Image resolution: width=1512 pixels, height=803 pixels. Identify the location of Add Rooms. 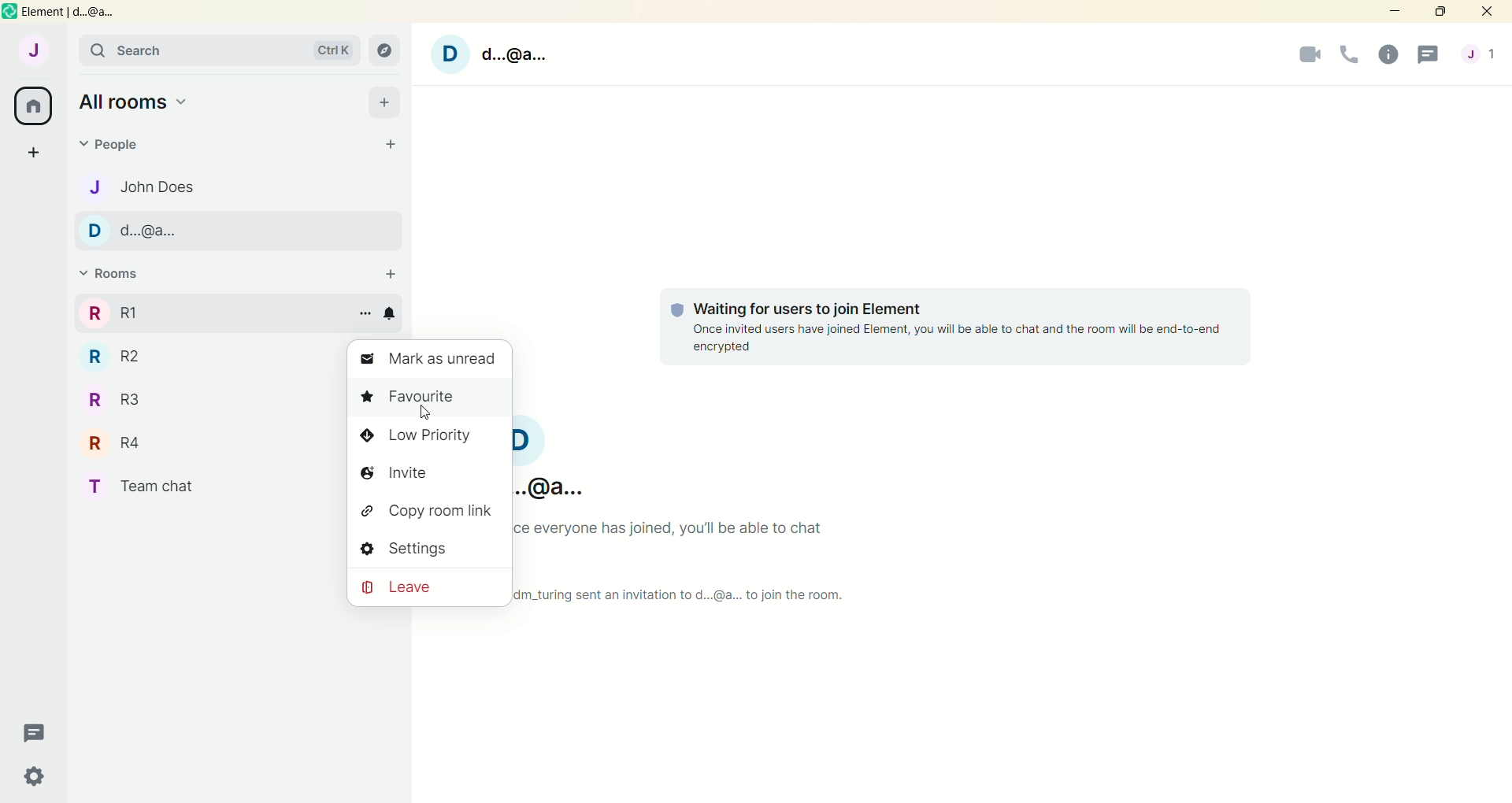
(395, 276).